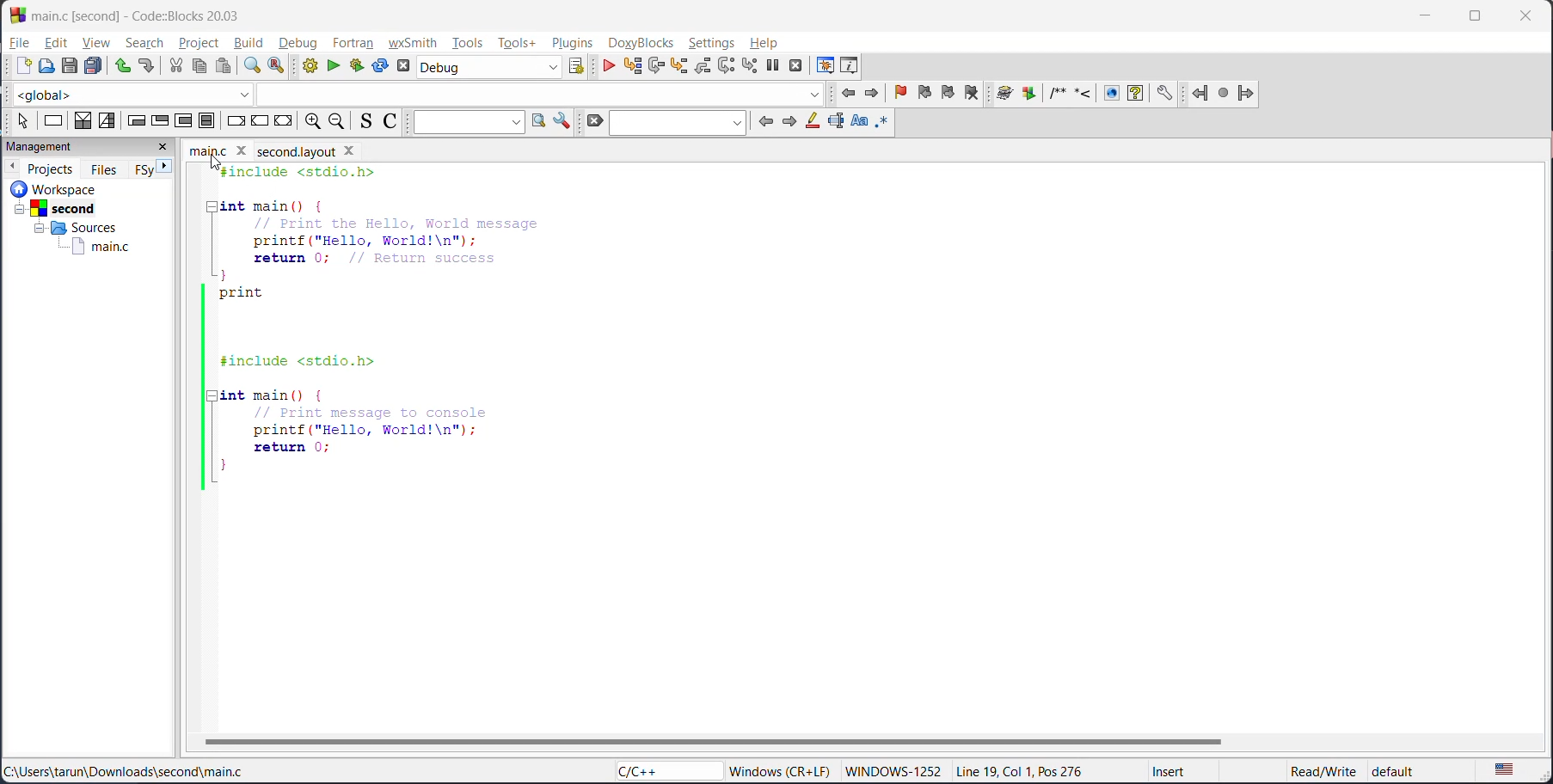  I want to click on zoom out, so click(336, 121).